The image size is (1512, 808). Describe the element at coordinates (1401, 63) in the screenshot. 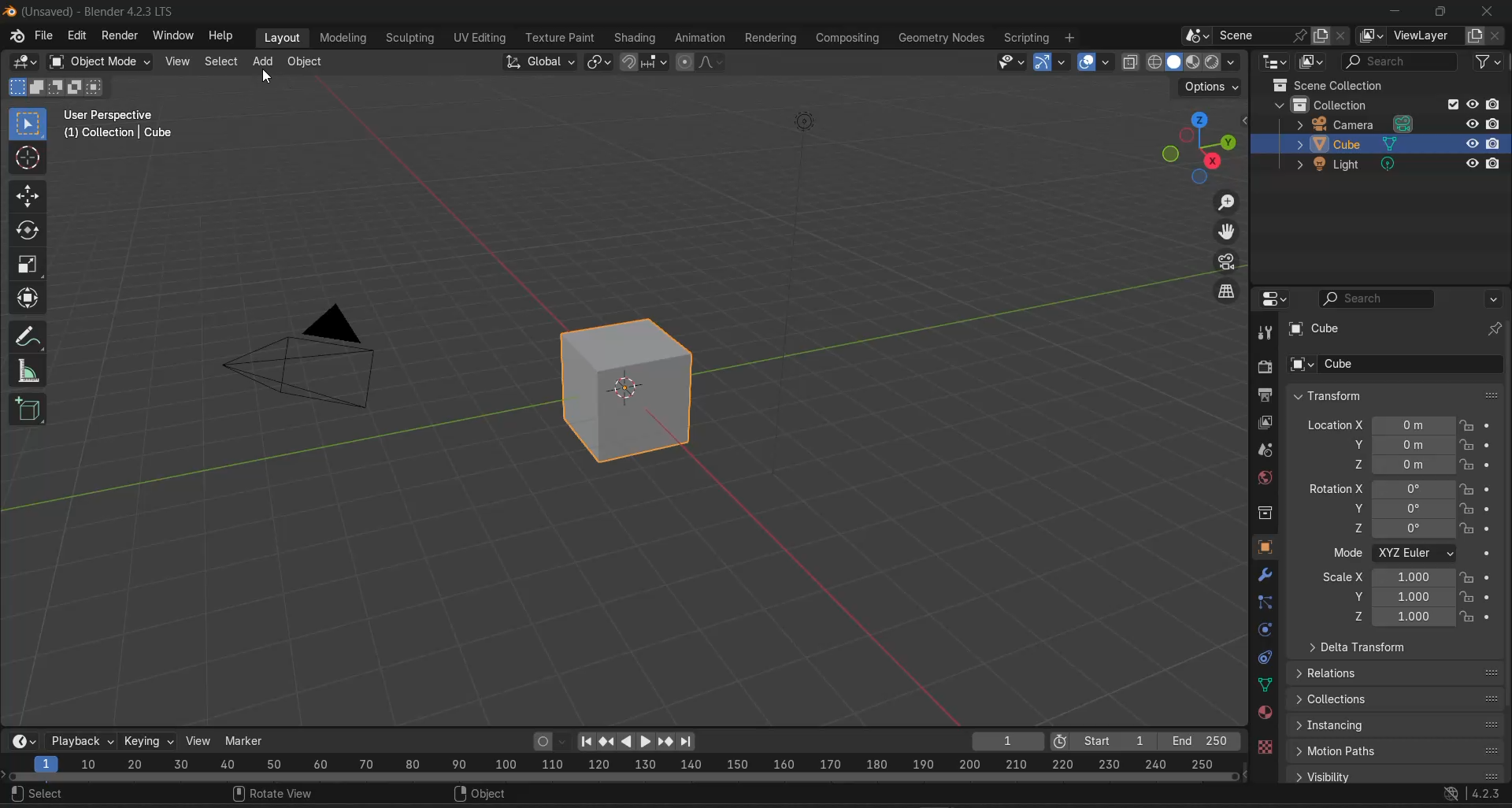

I see `live search filtering string` at that location.